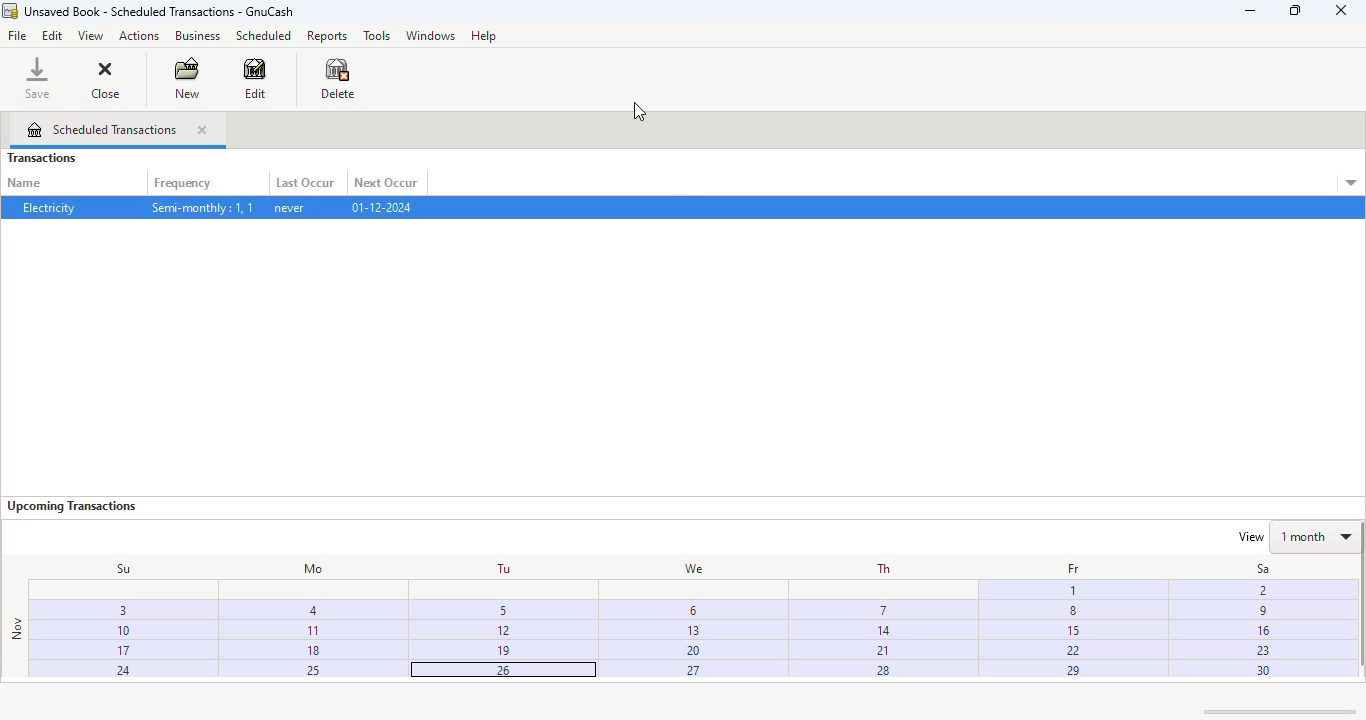 This screenshot has width=1366, height=720. Describe the element at coordinates (102, 129) in the screenshot. I see `scheduled transactions` at that location.